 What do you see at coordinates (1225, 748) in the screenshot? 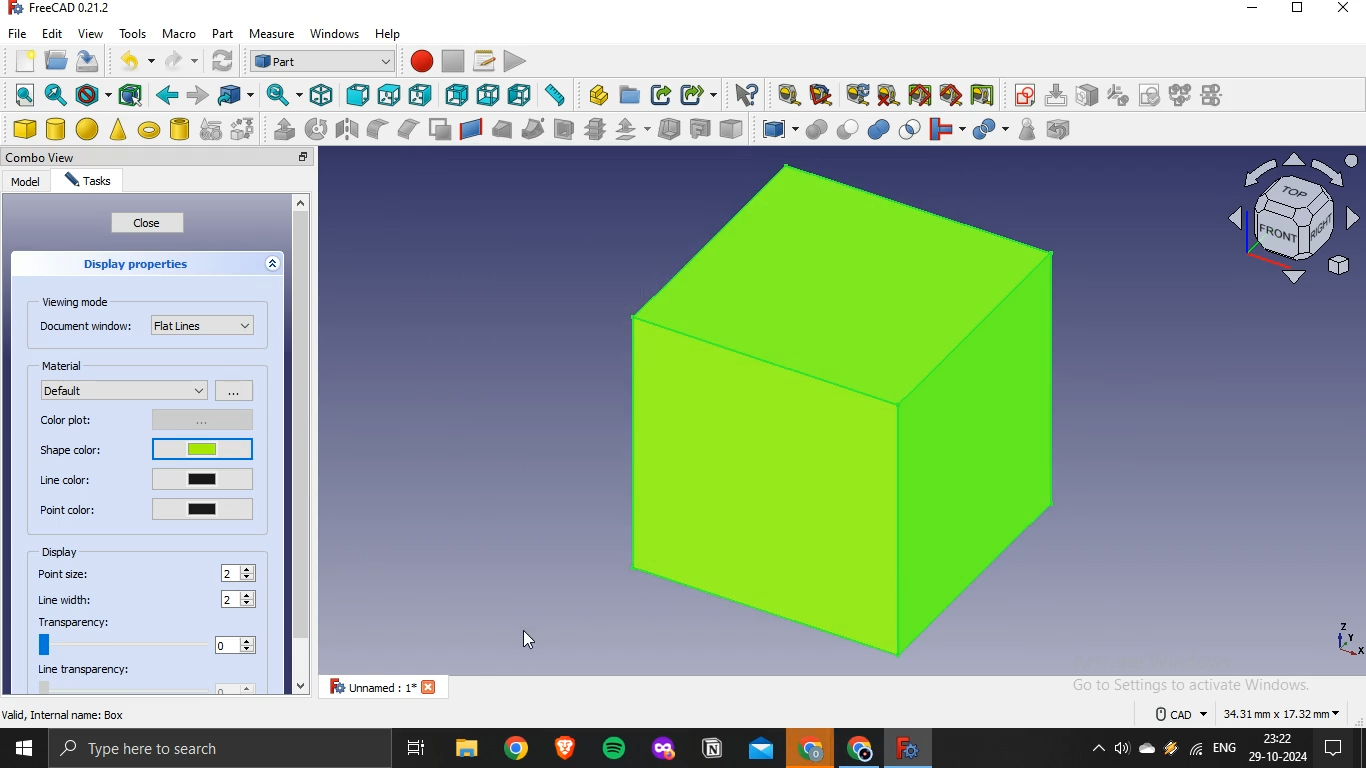
I see `english` at bounding box center [1225, 748].